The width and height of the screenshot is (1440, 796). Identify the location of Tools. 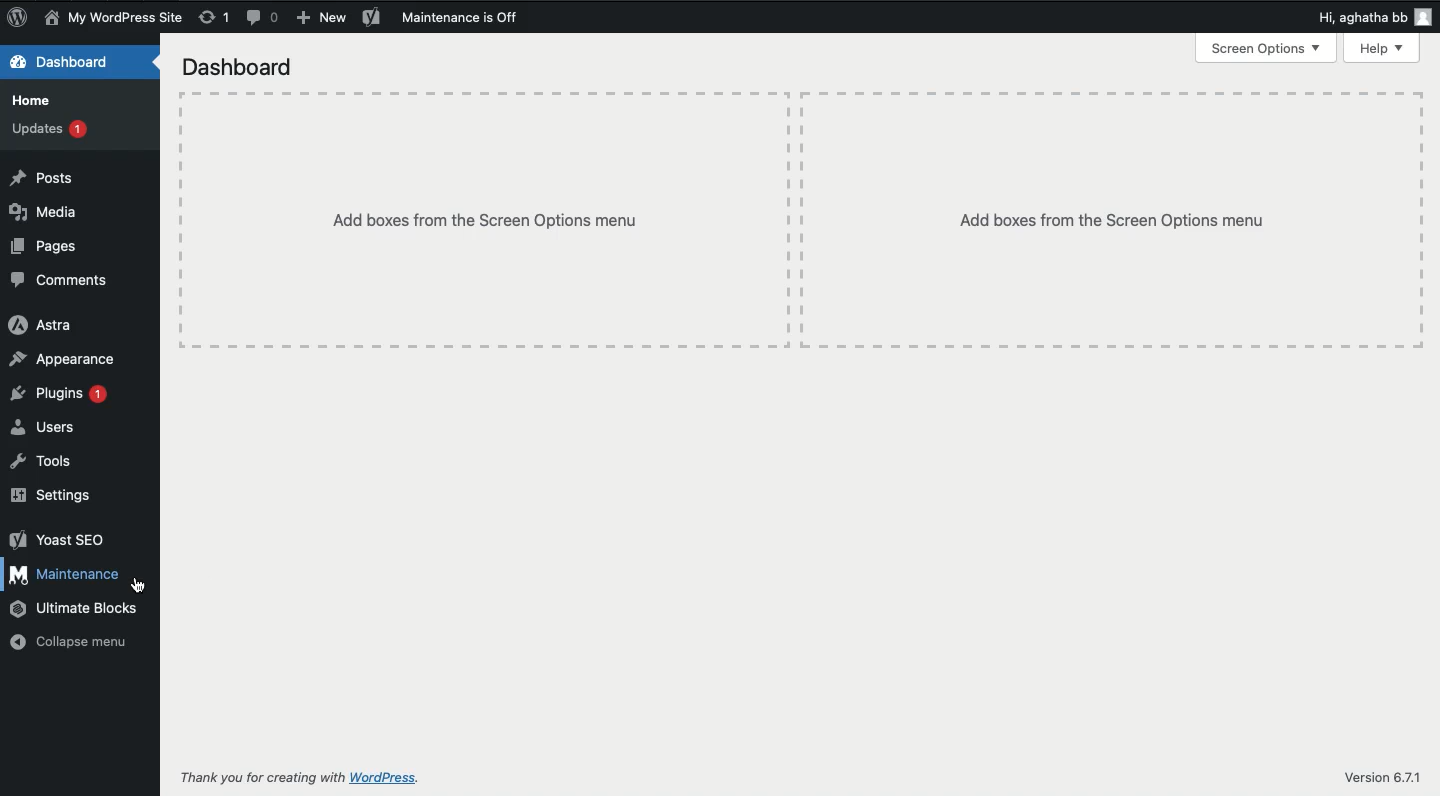
(42, 461).